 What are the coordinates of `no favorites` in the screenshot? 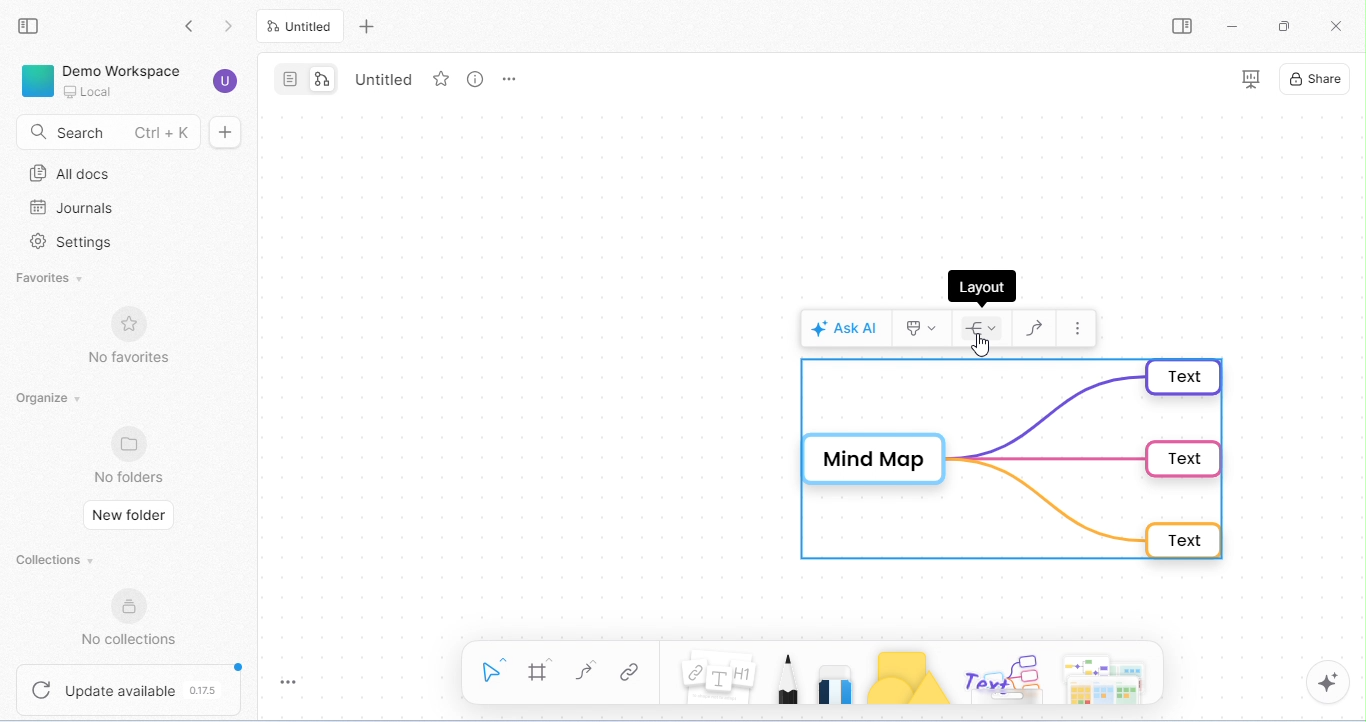 It's located at (136, 335).